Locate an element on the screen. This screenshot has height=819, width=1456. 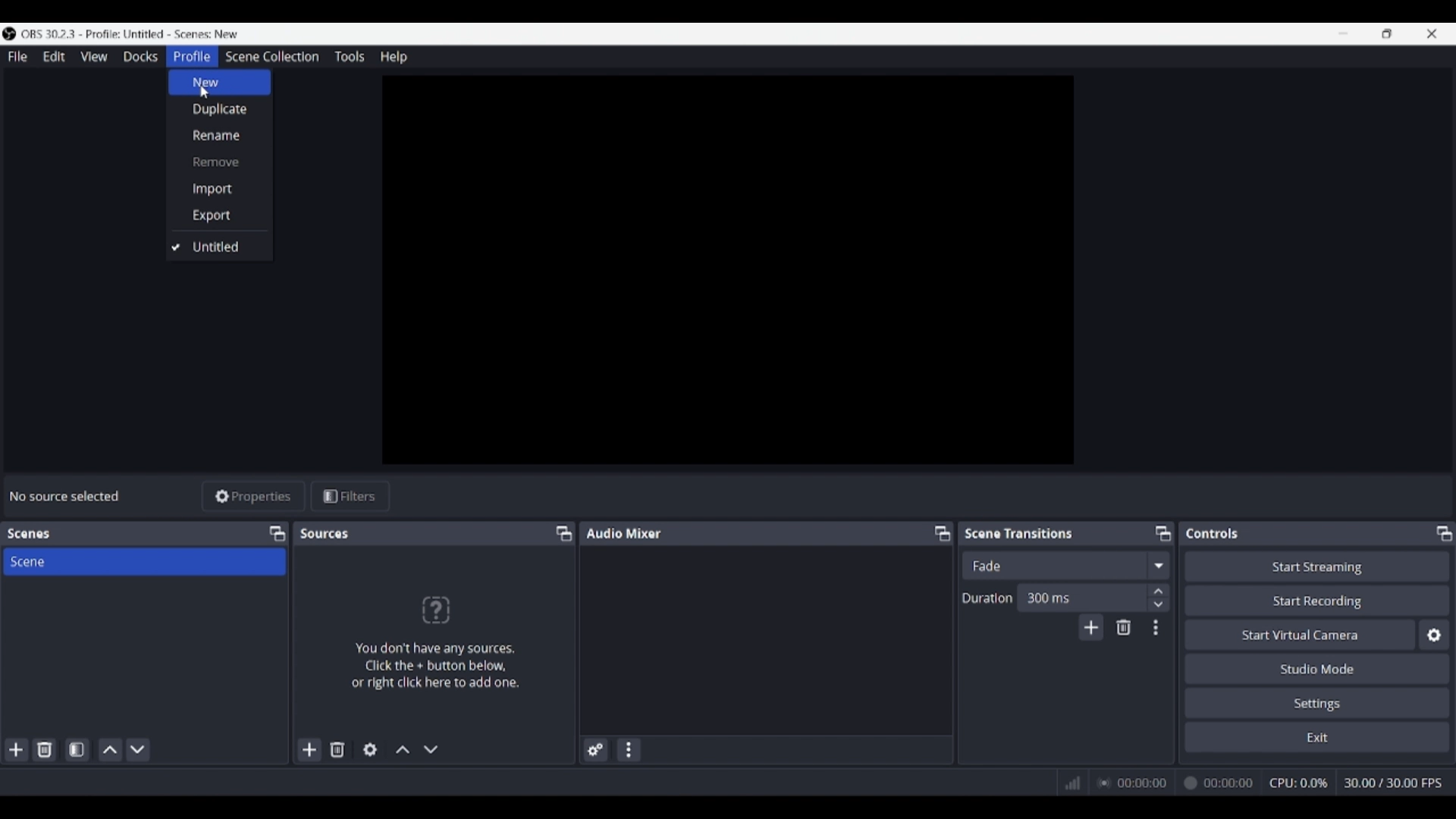
Move scene down is located at coordinates (137, 750).